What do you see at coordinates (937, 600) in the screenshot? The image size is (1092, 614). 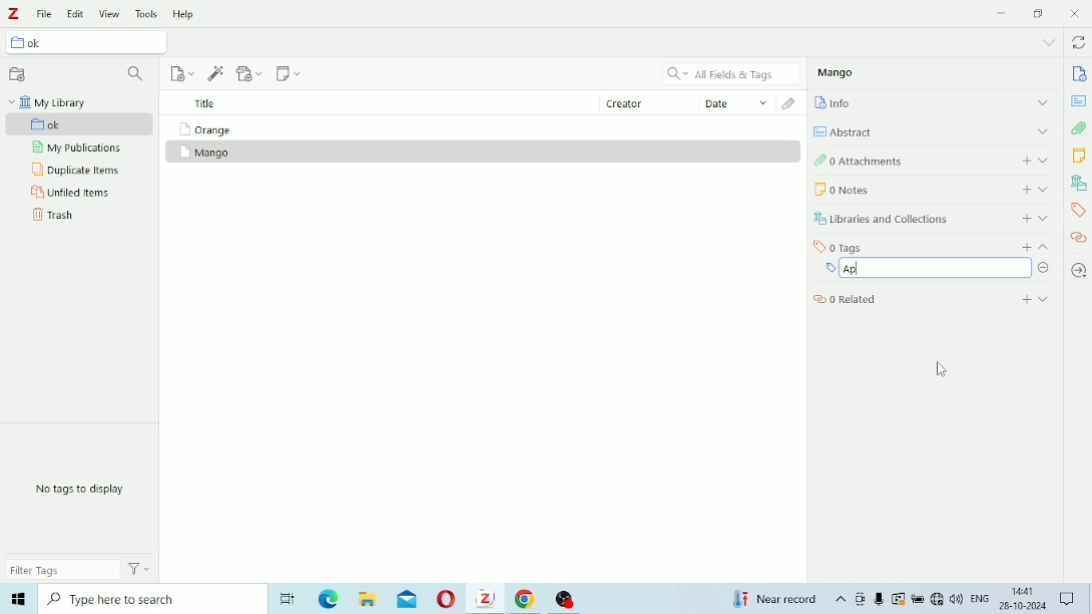 I see `Internet` at bounding box center [937, 600].